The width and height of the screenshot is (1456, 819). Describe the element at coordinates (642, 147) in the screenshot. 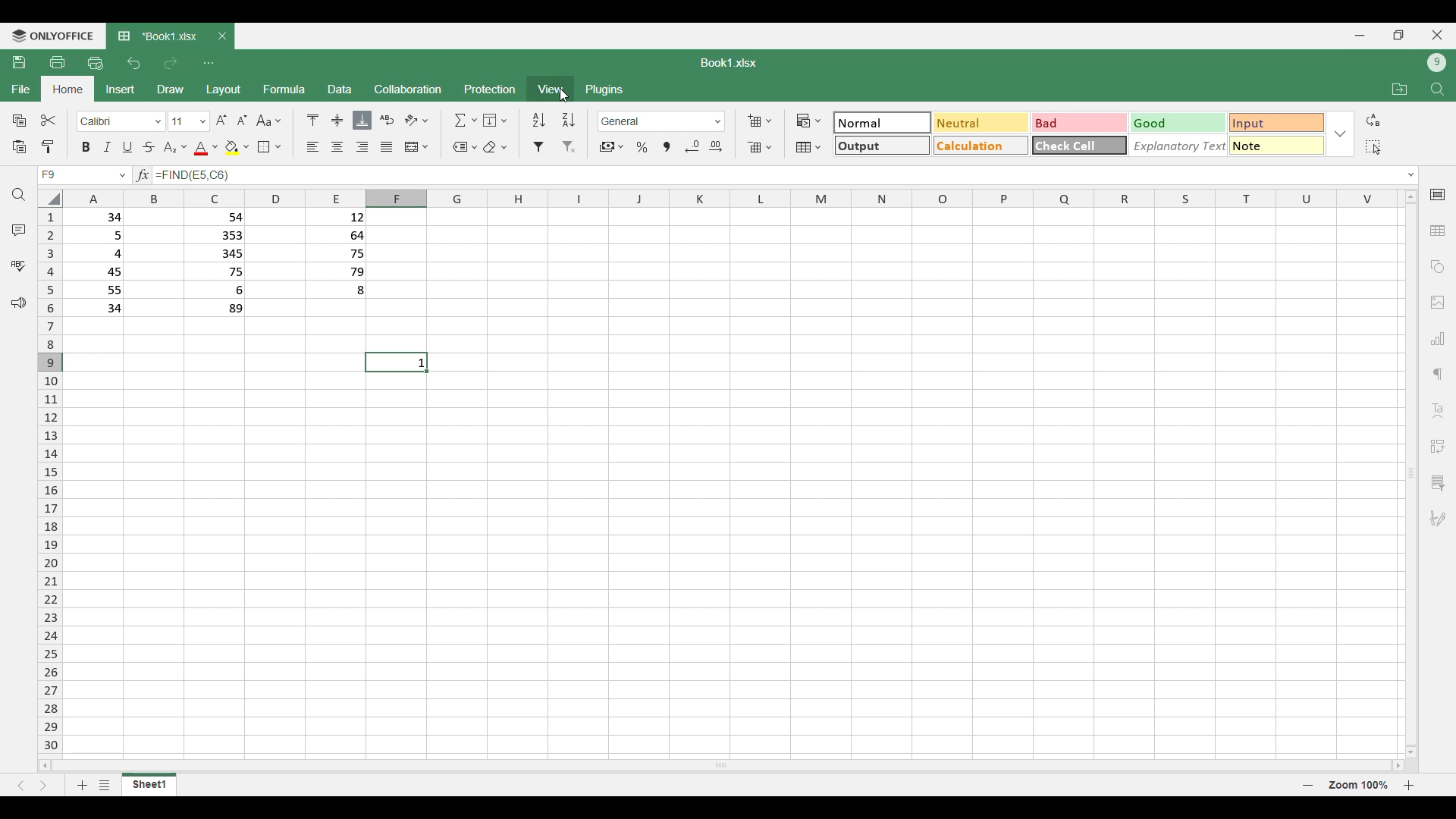

I see `Percent style` at that location.